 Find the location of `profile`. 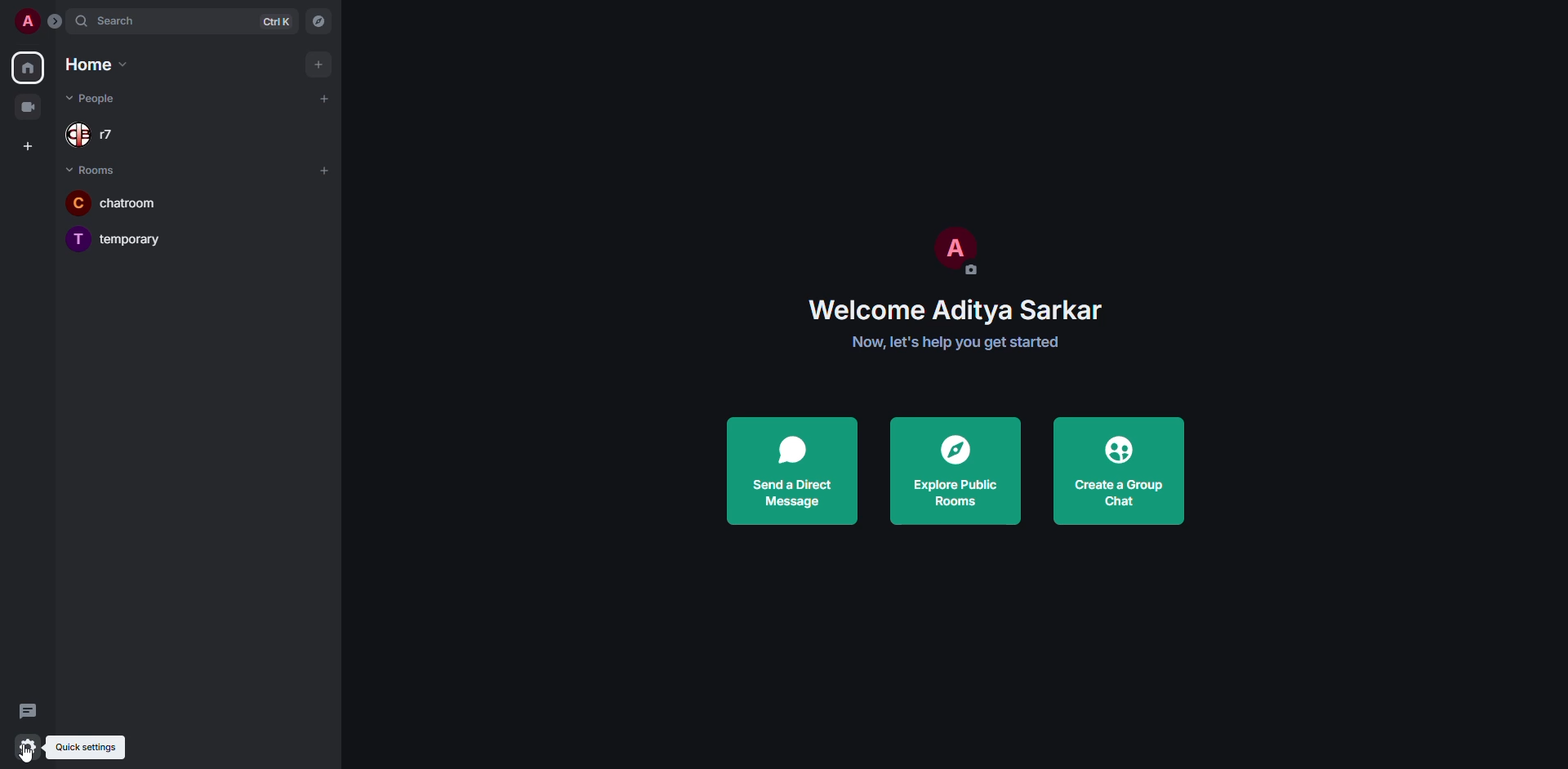

profile is located at coordinates (25, 21).